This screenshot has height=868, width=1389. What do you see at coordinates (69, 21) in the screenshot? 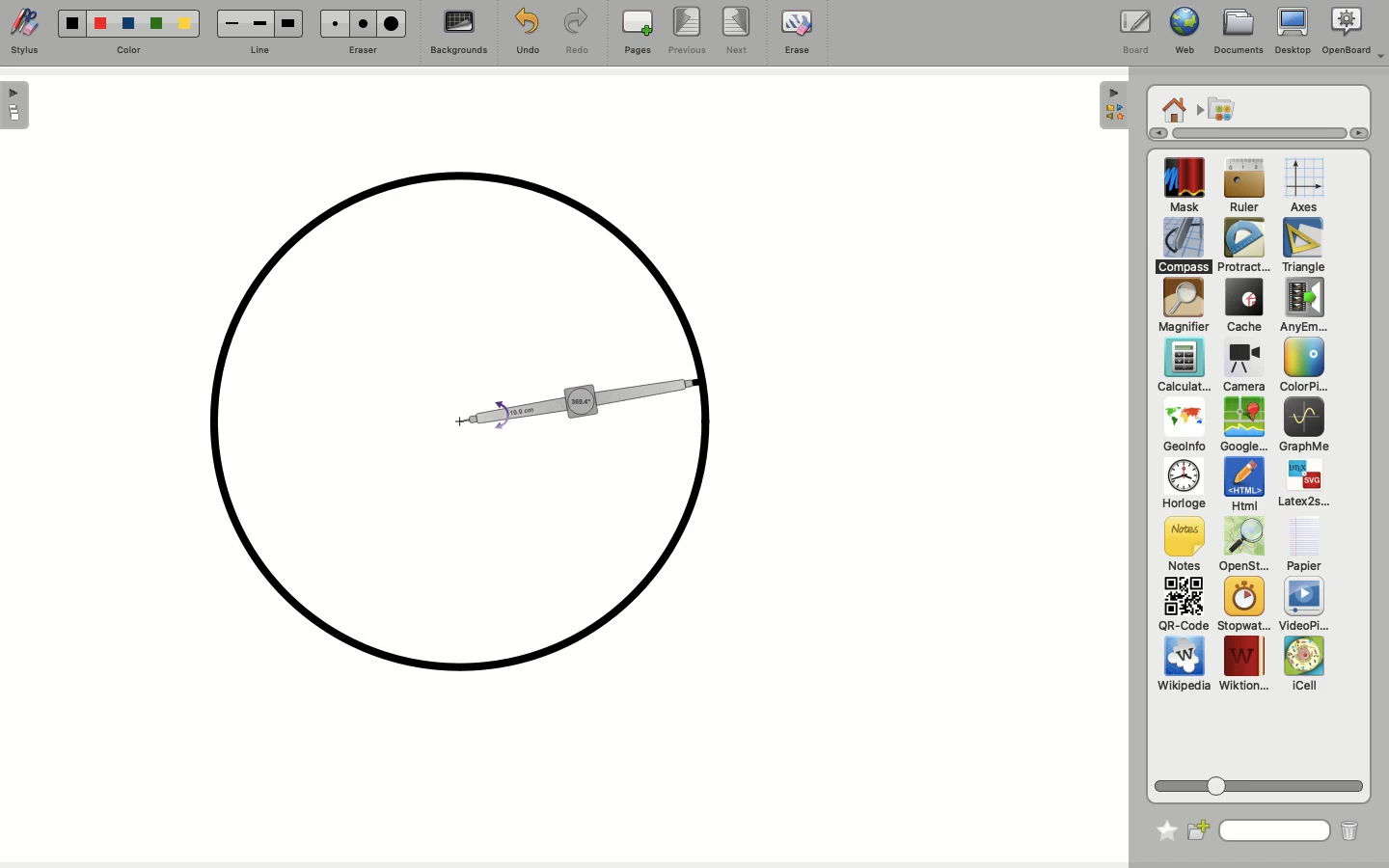
I see `color1` at bounding box center [69, 21].